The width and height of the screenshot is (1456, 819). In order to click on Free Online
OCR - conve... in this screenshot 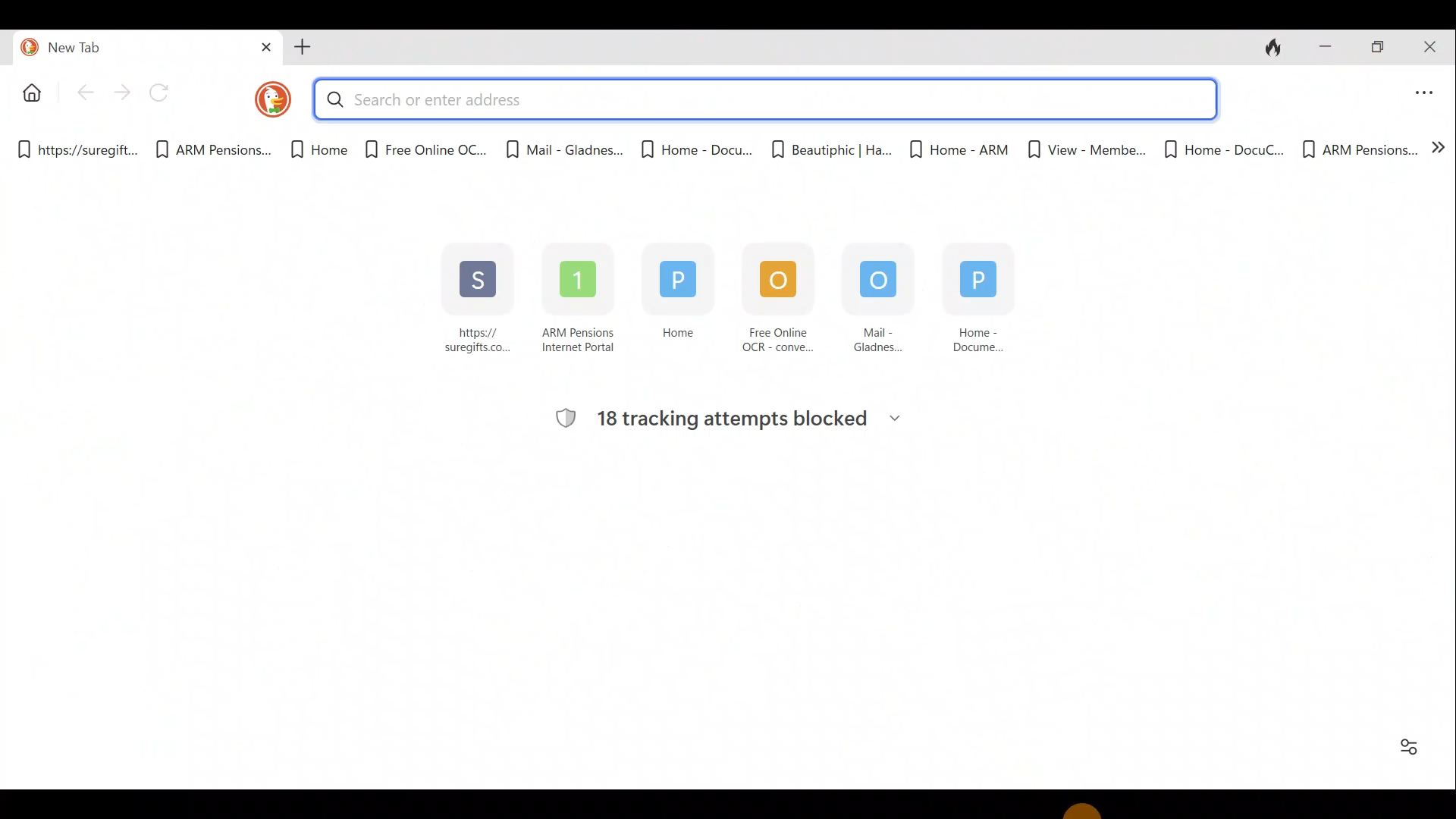, I will do `click(769, 303)`.